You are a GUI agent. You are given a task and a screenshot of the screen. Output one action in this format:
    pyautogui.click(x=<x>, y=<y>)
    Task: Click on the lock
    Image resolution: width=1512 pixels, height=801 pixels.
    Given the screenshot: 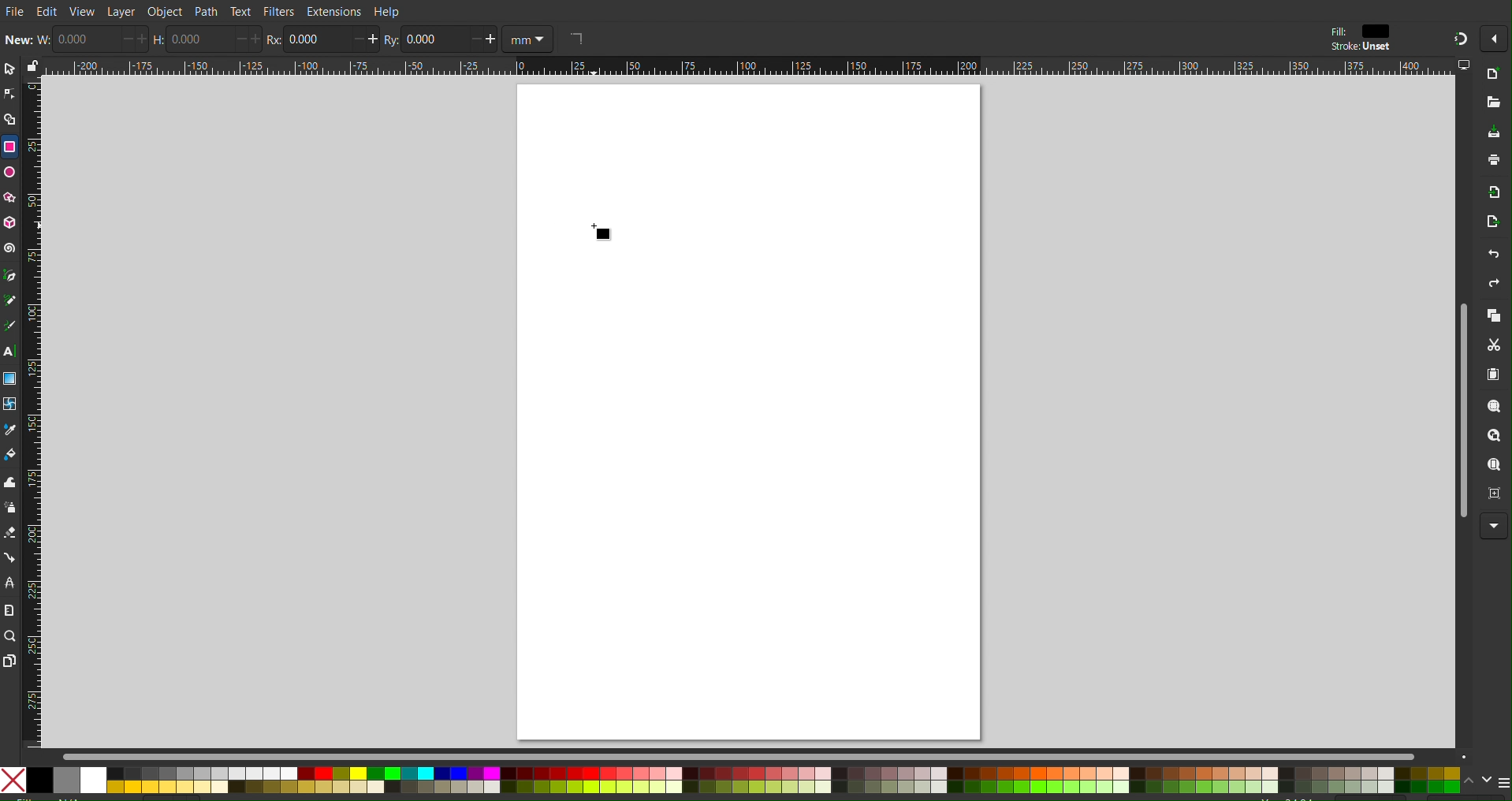 What is the action you would take?
    pyautogui.click(x=31, y=63)
    